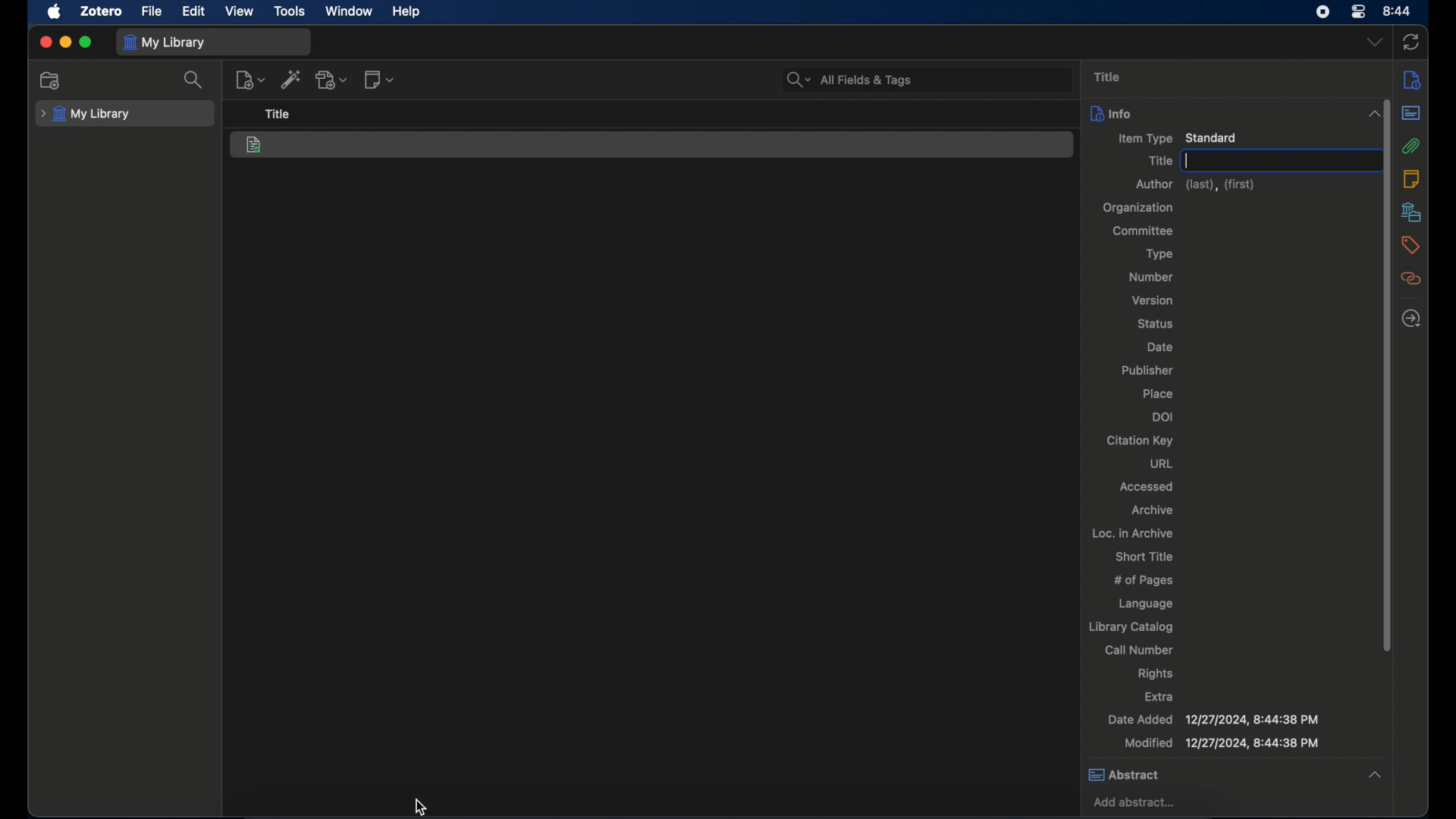 The width and height of the screenshot is (1456, 819). Describe the element at coordinates (1275, 160) in the screenshot. I see `text input` at that location.